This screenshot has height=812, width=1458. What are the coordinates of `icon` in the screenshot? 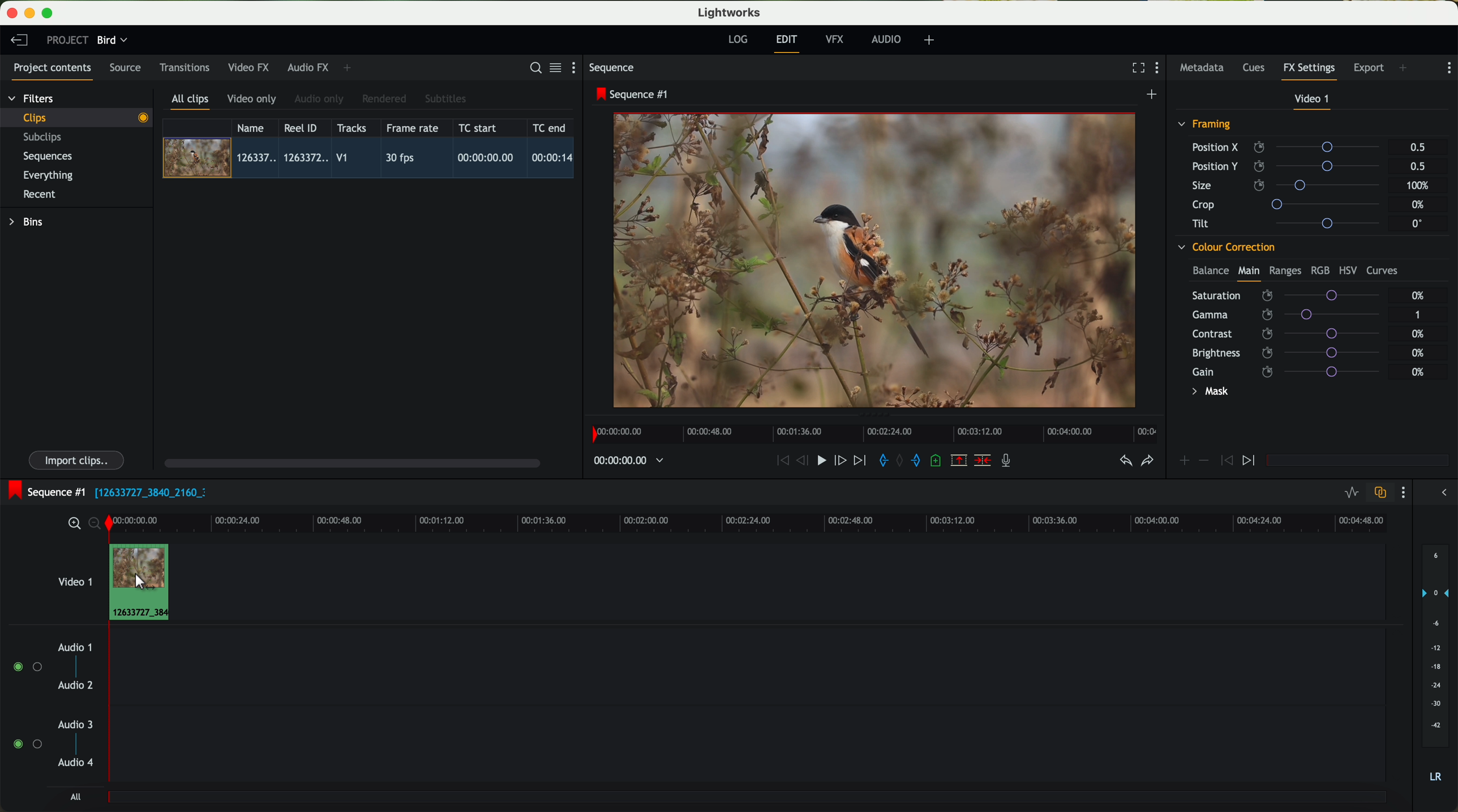 It's located at (1183, 462).